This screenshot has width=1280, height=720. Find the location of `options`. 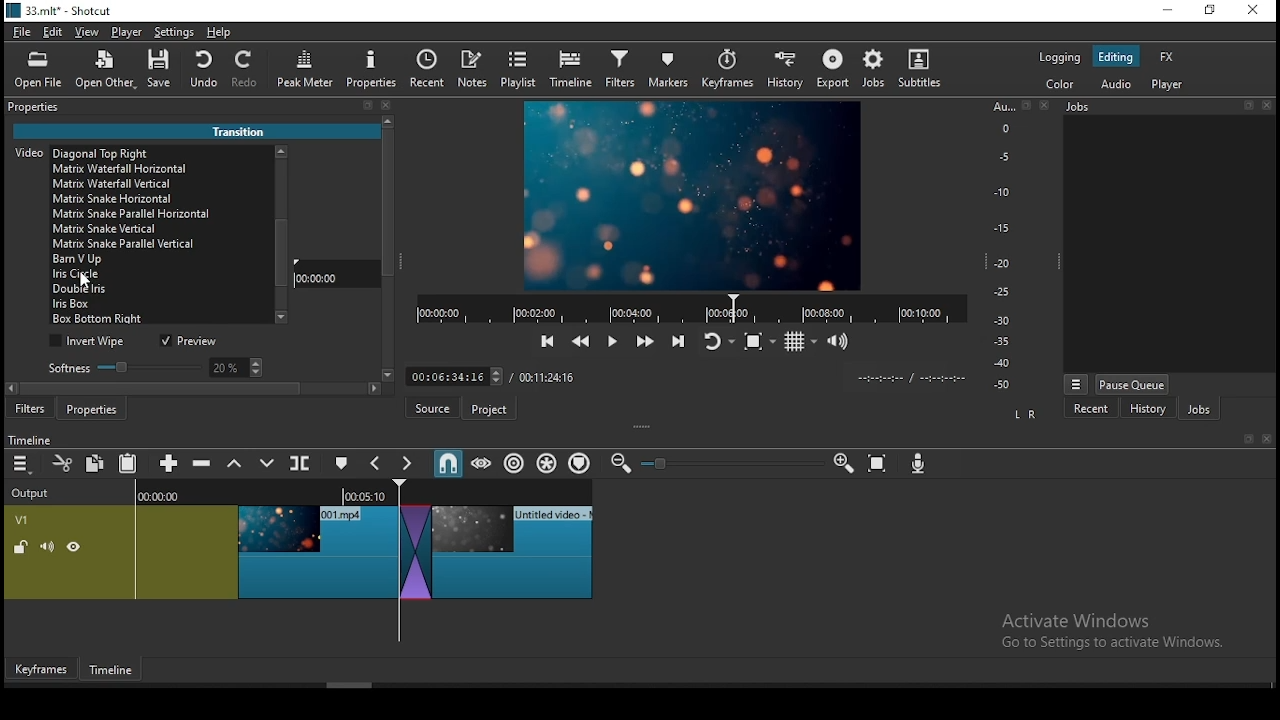

options is located at coordinates (1076, 382).